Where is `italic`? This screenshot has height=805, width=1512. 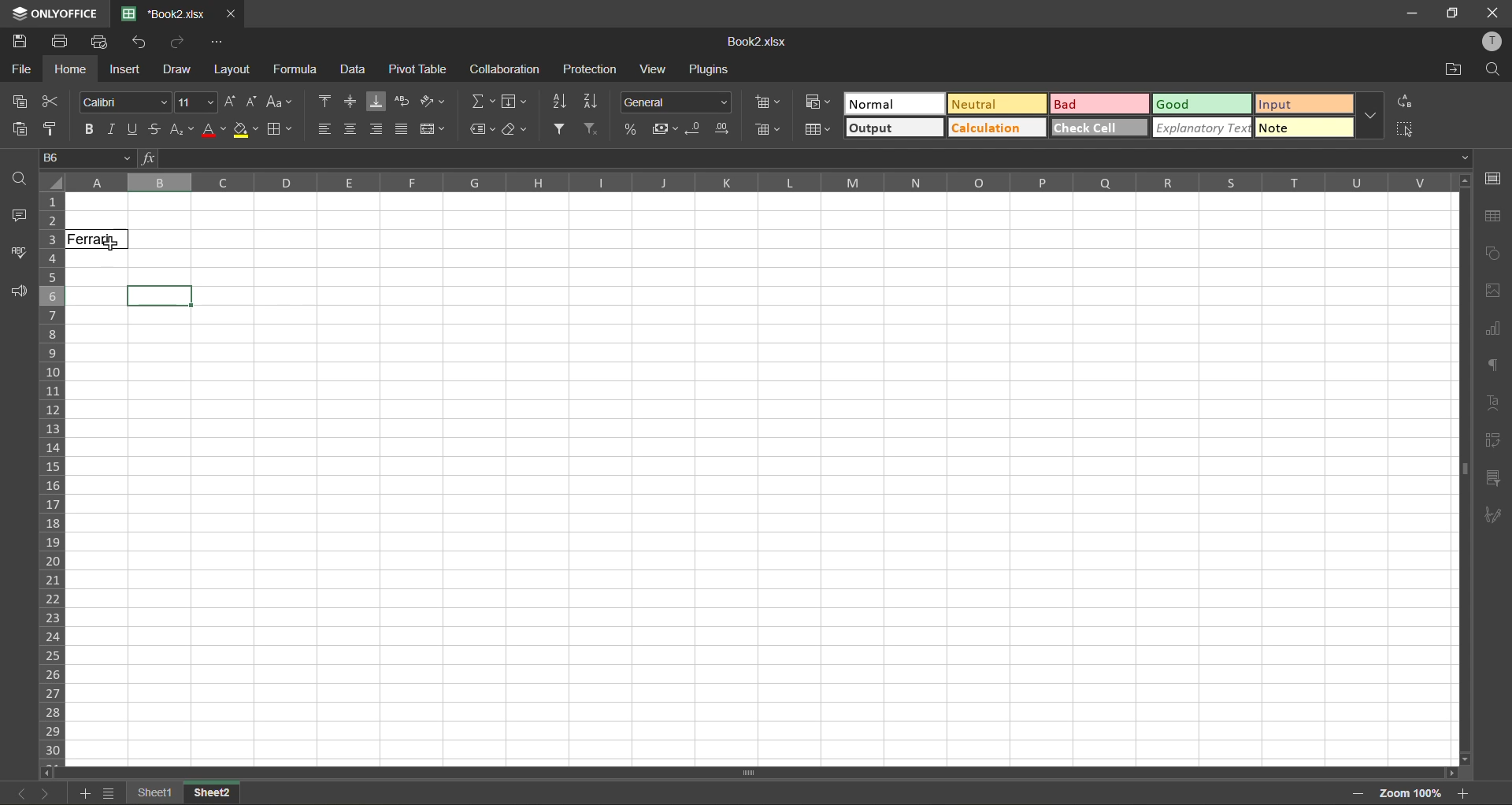
italic is located at coordinates (114, 129).